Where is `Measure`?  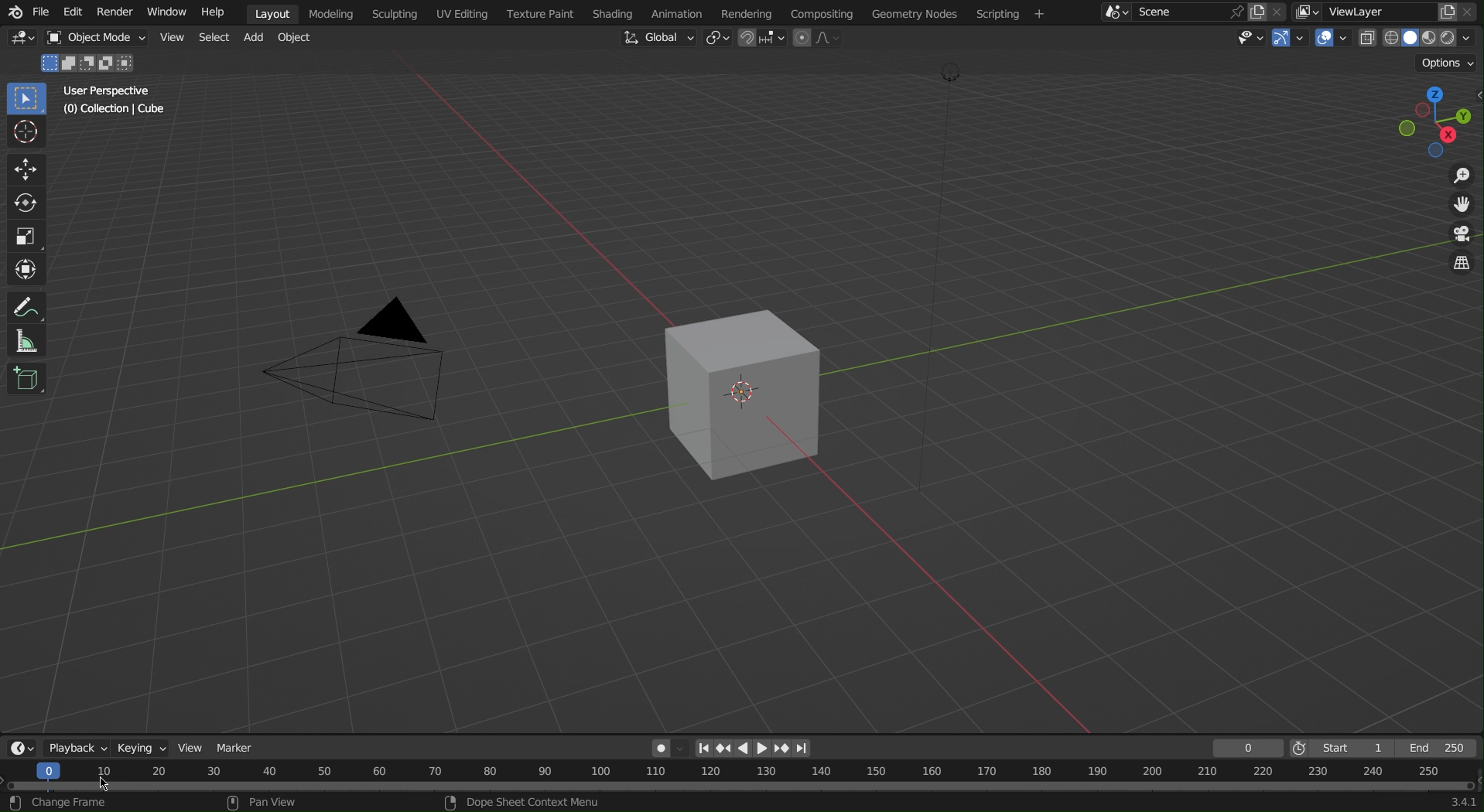 Measure is located at coordinates (24, 343).